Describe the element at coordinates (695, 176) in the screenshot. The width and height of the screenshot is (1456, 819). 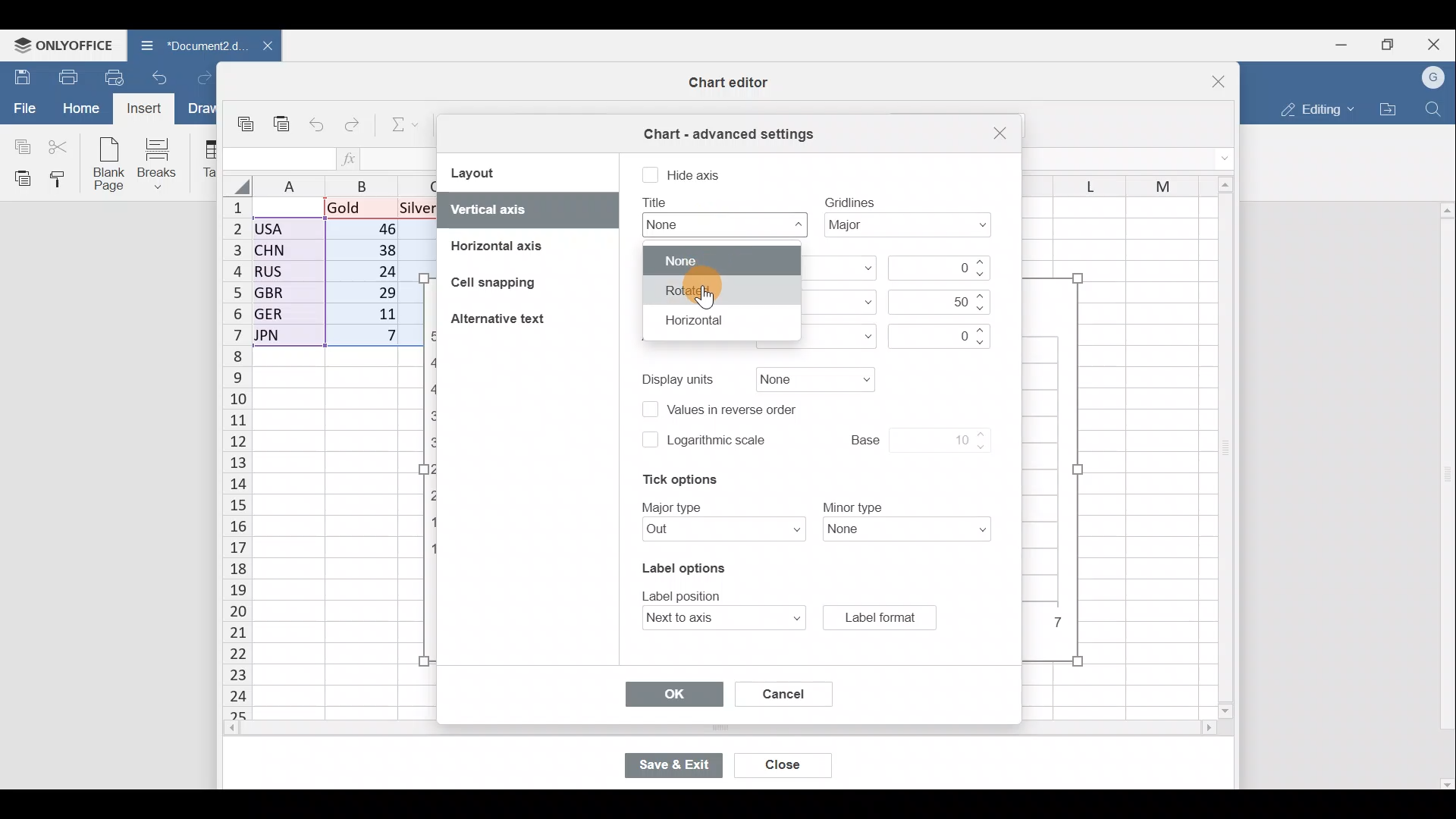
I see `Hide axis` at that location.